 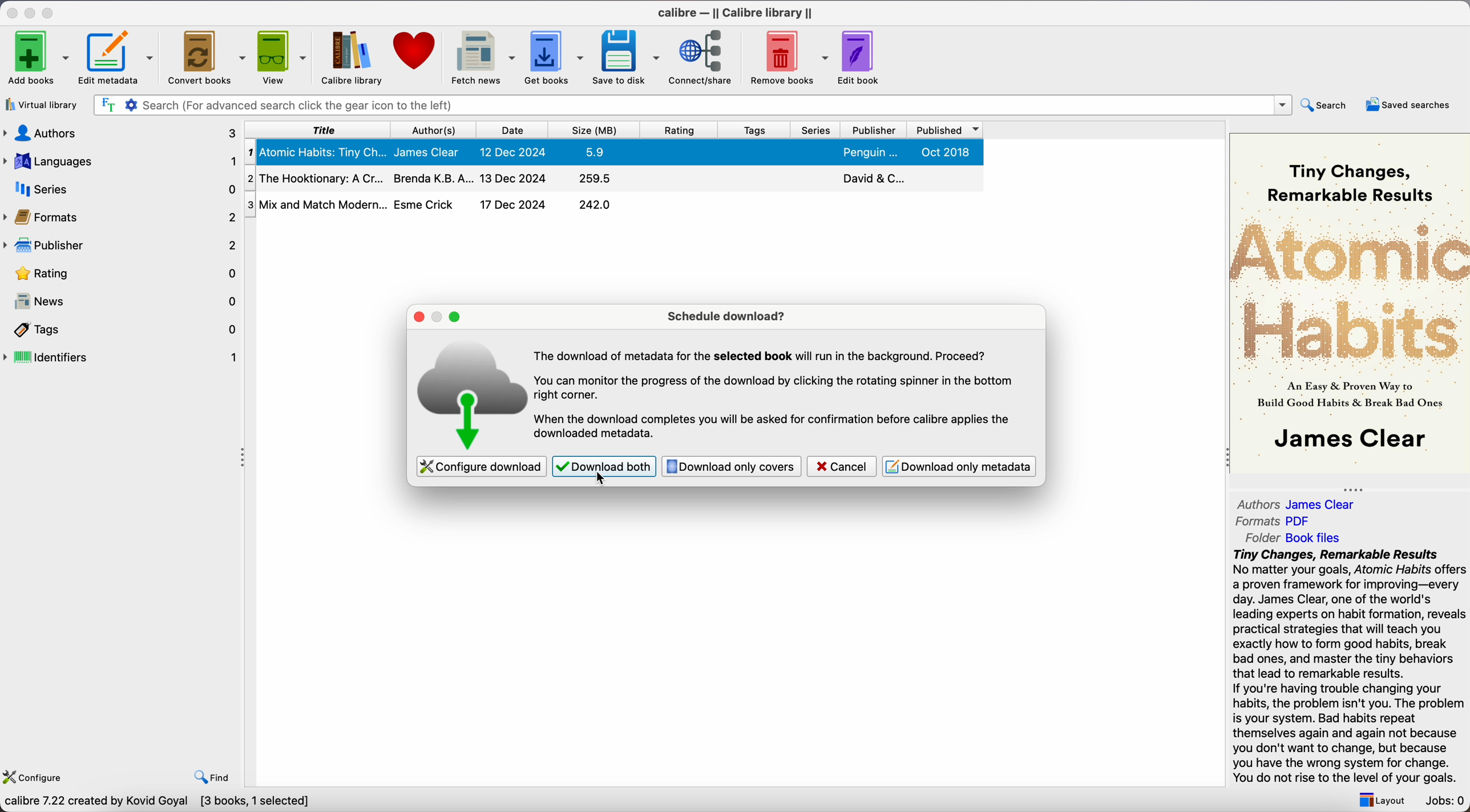 What do you see at coordinates (860, 57) in the screenshot?
I see `edit book` at bounding box center [860, 57].